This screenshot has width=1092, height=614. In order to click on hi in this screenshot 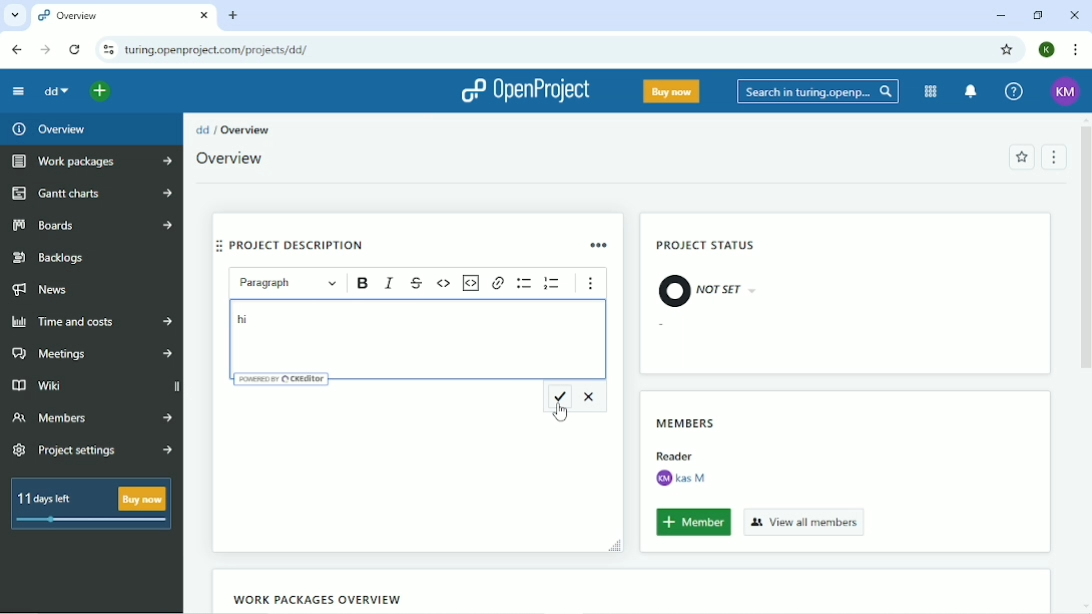, I will do `click(242, 319)`.